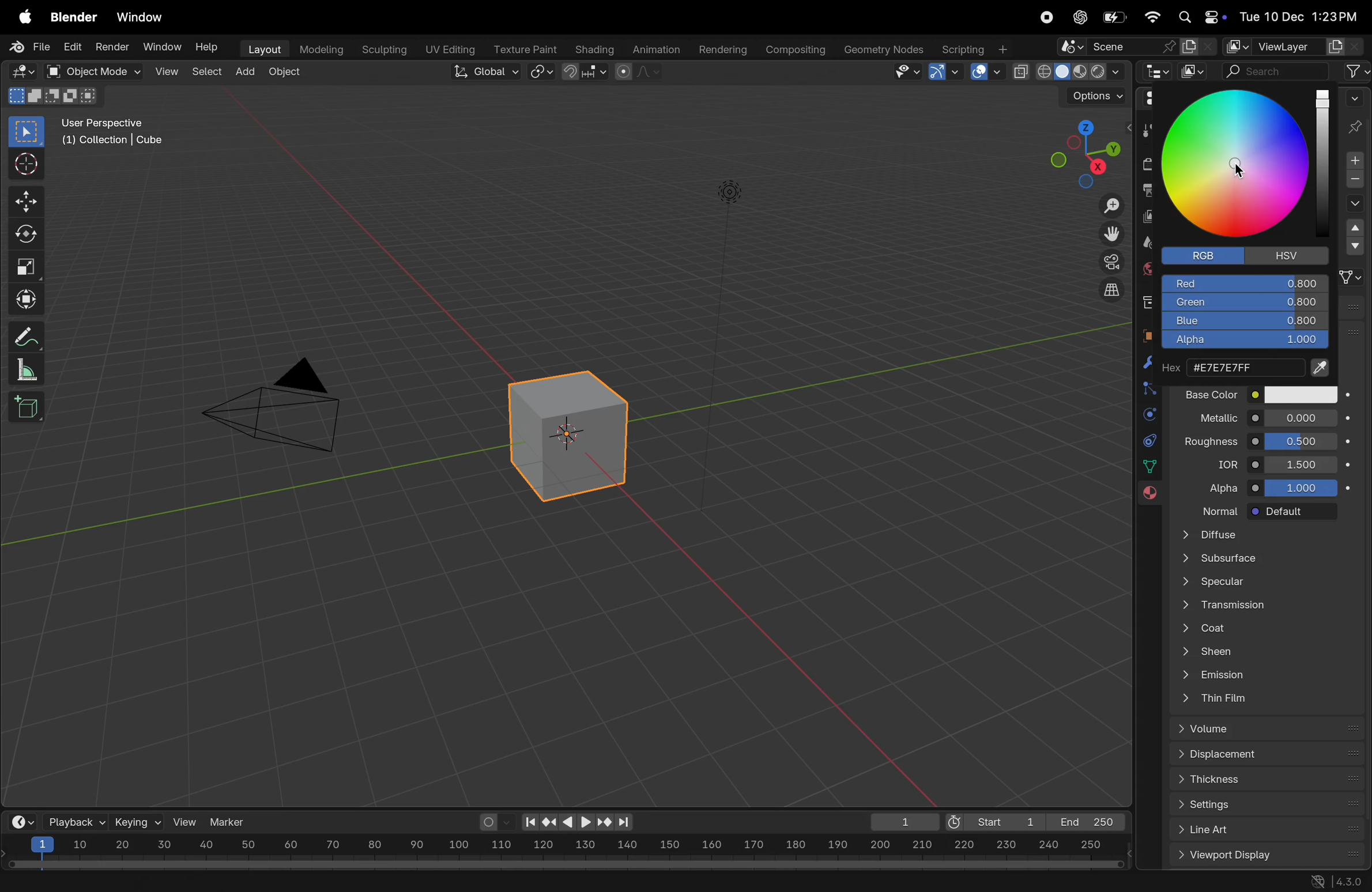 The height and width of the screenshot is (892, 1372). I want to click on orthographic view, so click(1113, 289).